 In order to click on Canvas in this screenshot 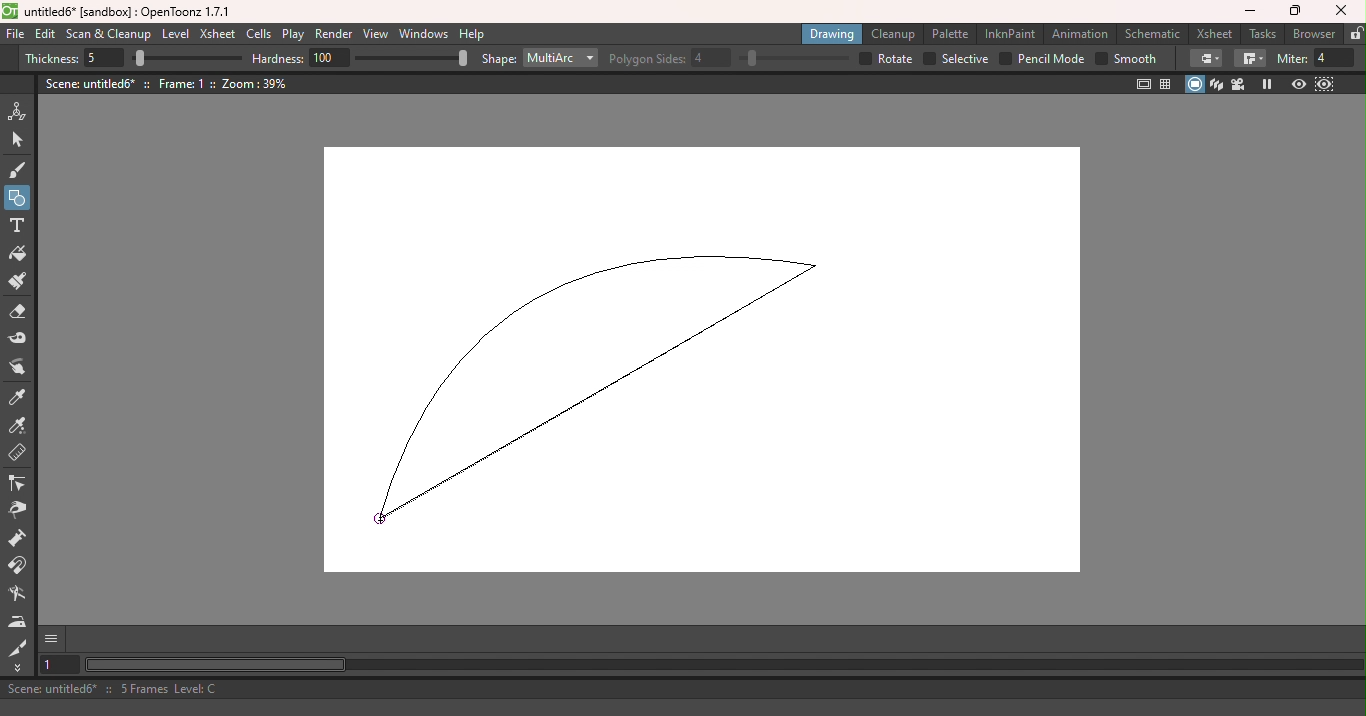, I will do `click(716, 361)`.